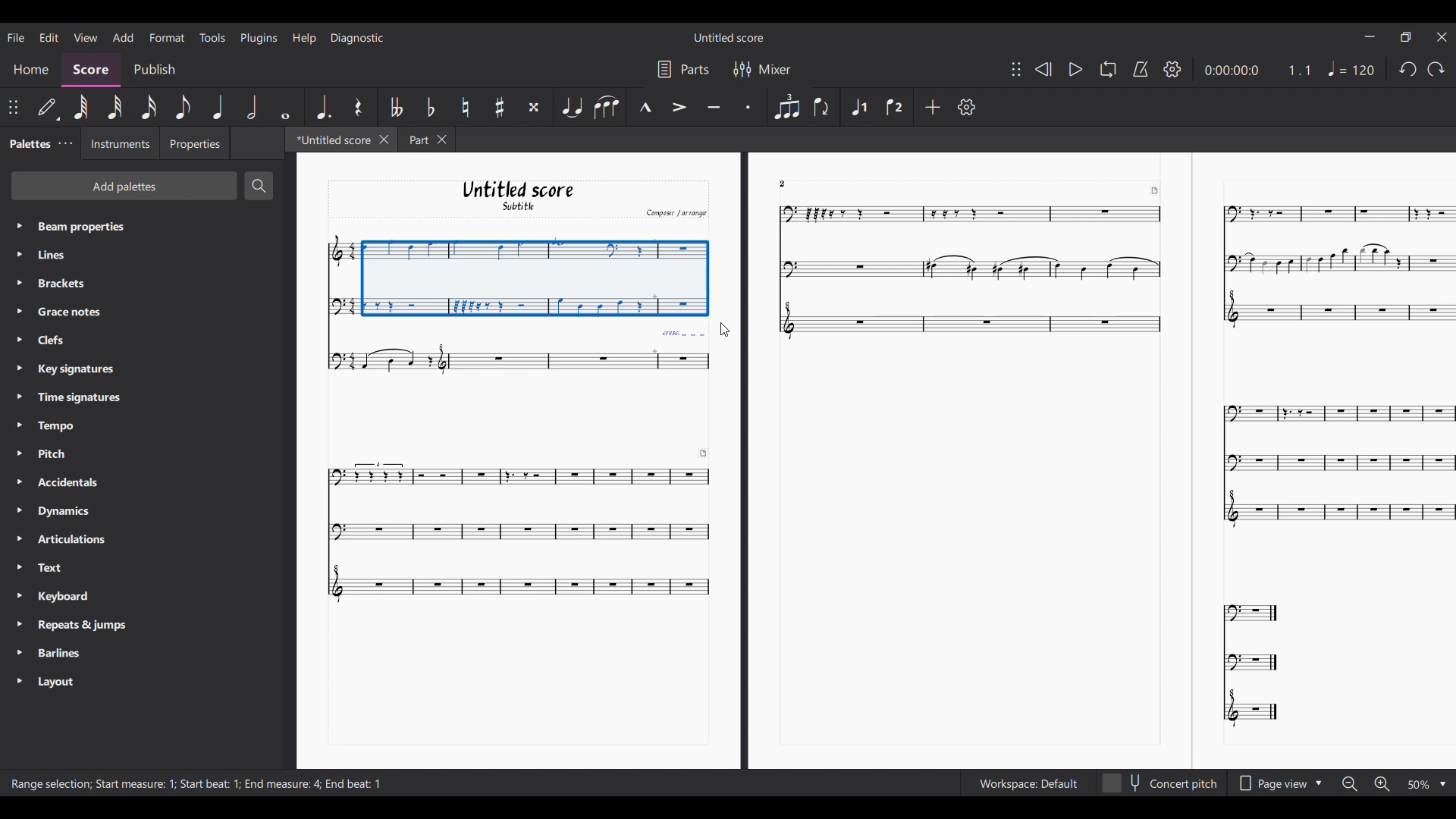  I want to click on Line, so click(65, 255).